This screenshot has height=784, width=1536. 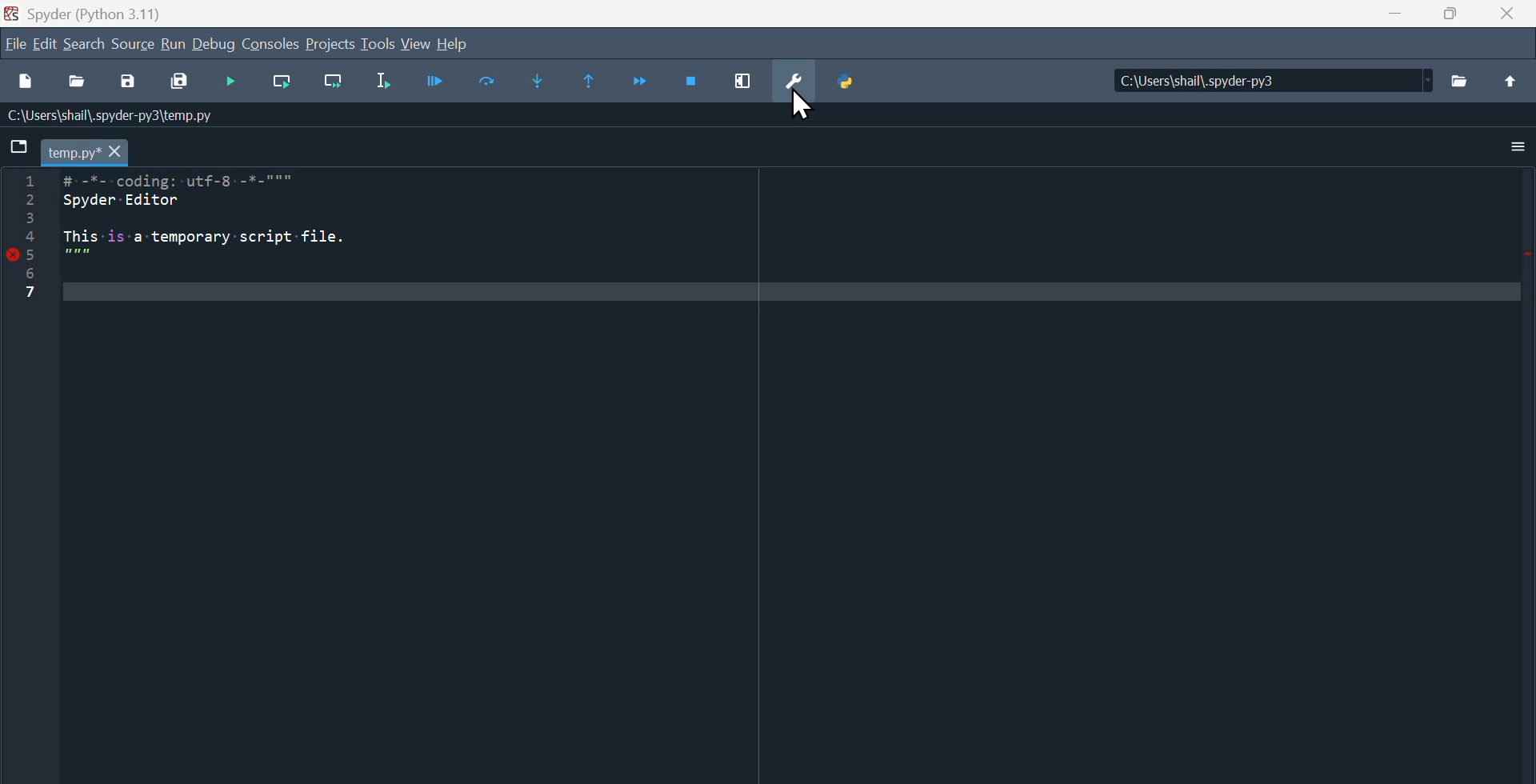 What do you see at coordinates (331, 45) in the screenshot?
I see `Projects` at bounding box center [331, 45].